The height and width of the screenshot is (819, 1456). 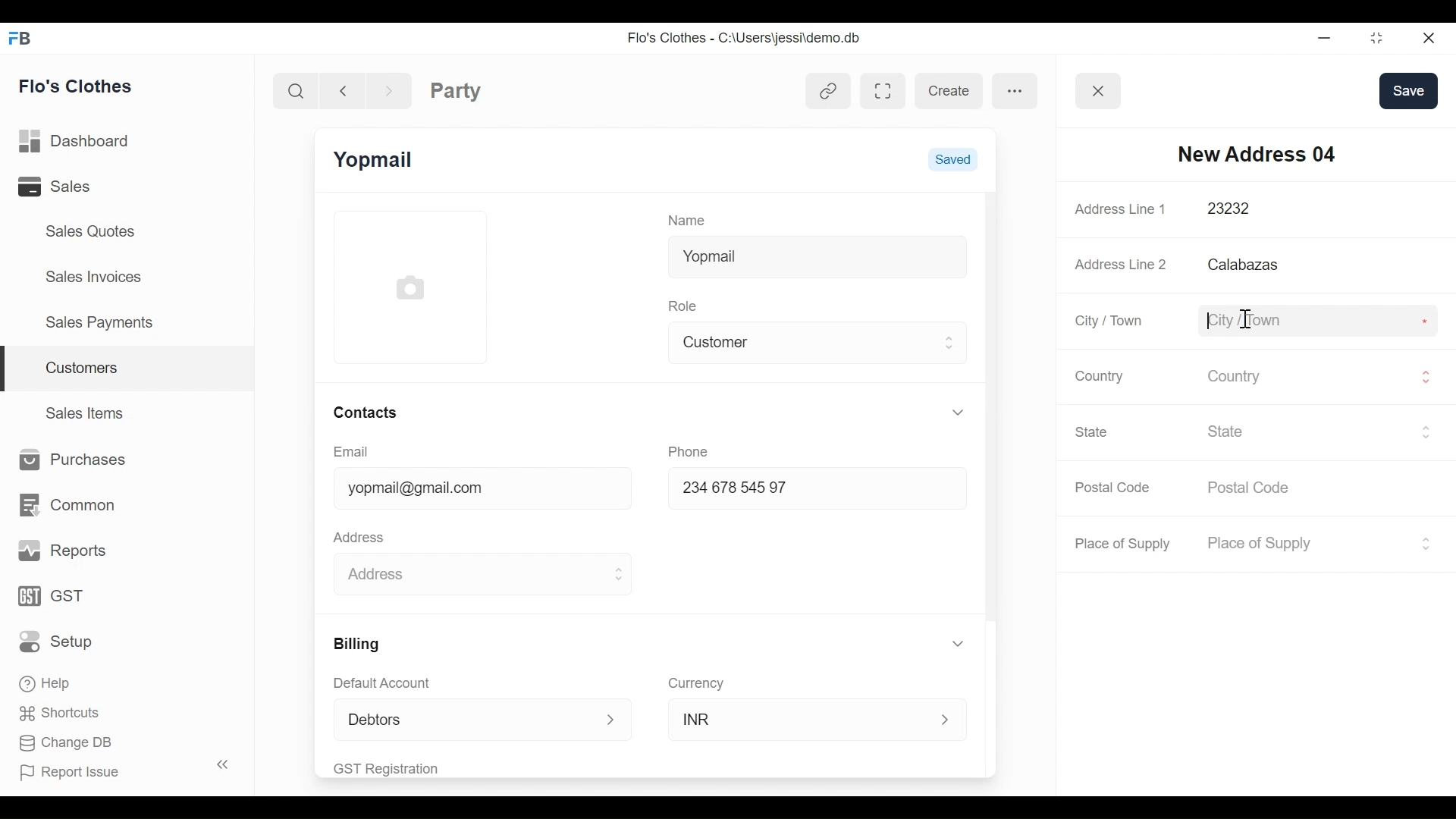 What do you see at coordinates (458, 719) in the screenshot?
I see `Debtors` at bounding box center [458, 719].